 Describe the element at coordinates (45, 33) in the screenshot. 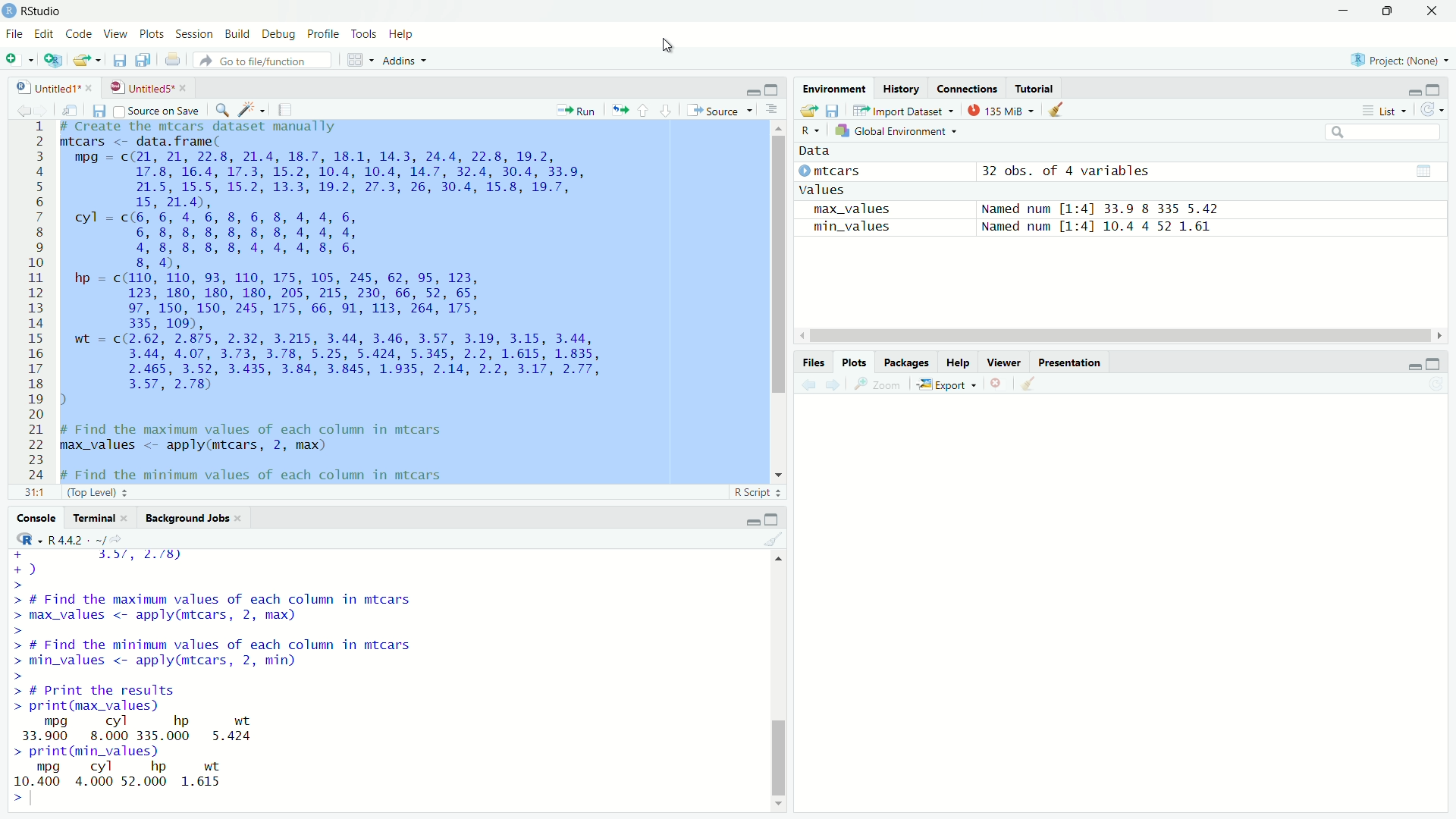

I see `Edit` at that location.